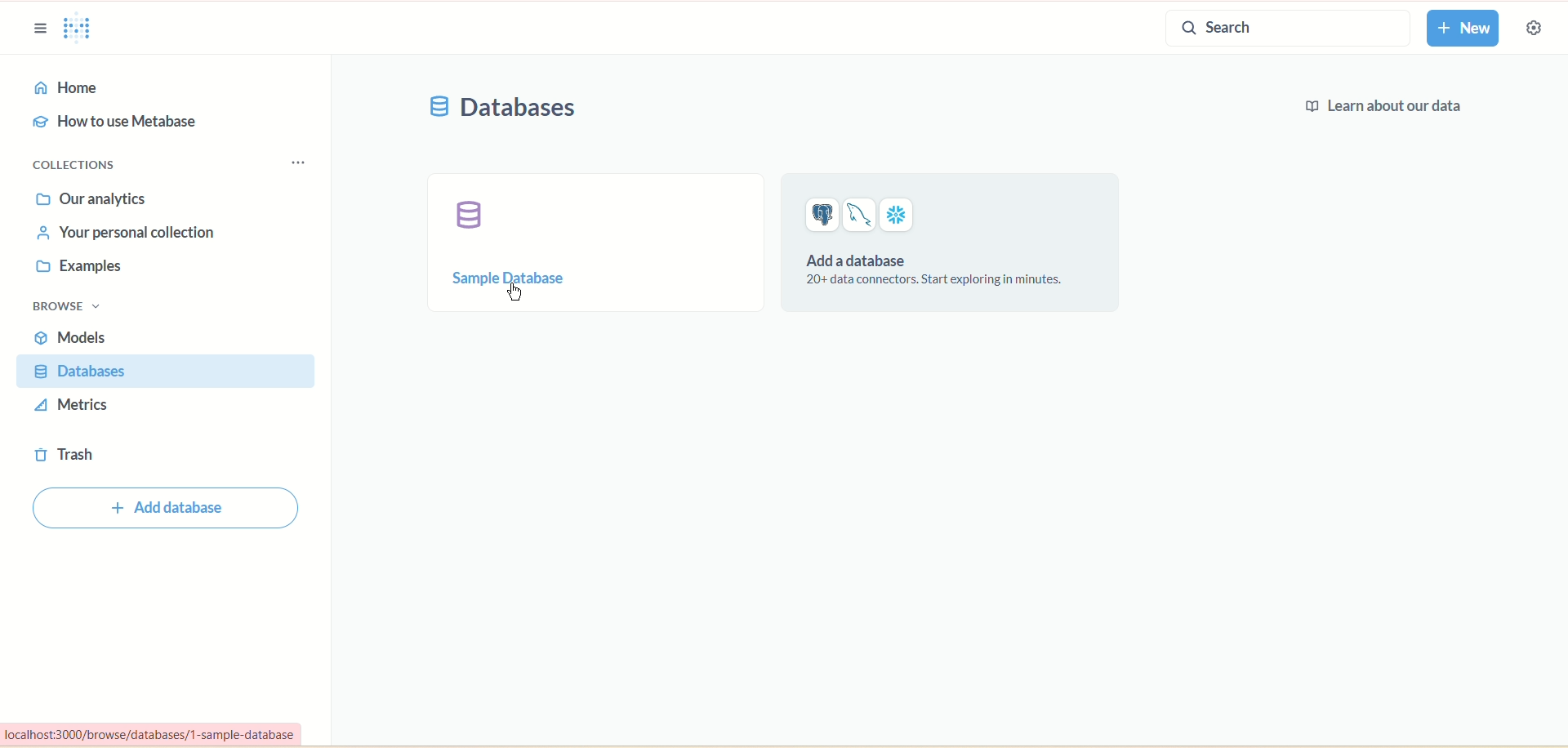  I want to click on logo, so click(75, 26).